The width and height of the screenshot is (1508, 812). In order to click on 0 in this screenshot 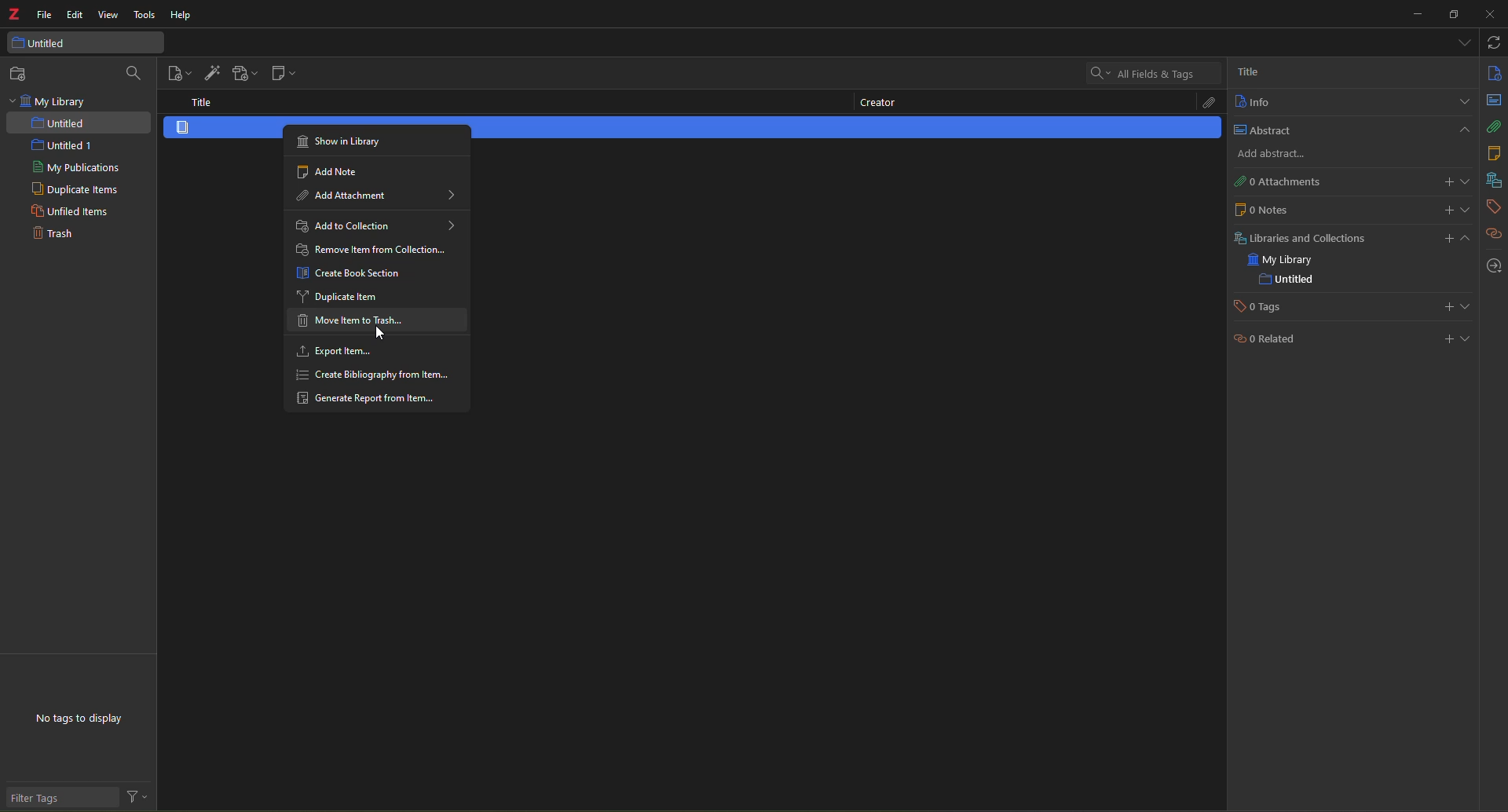, I will do `click(1275, 181)`.